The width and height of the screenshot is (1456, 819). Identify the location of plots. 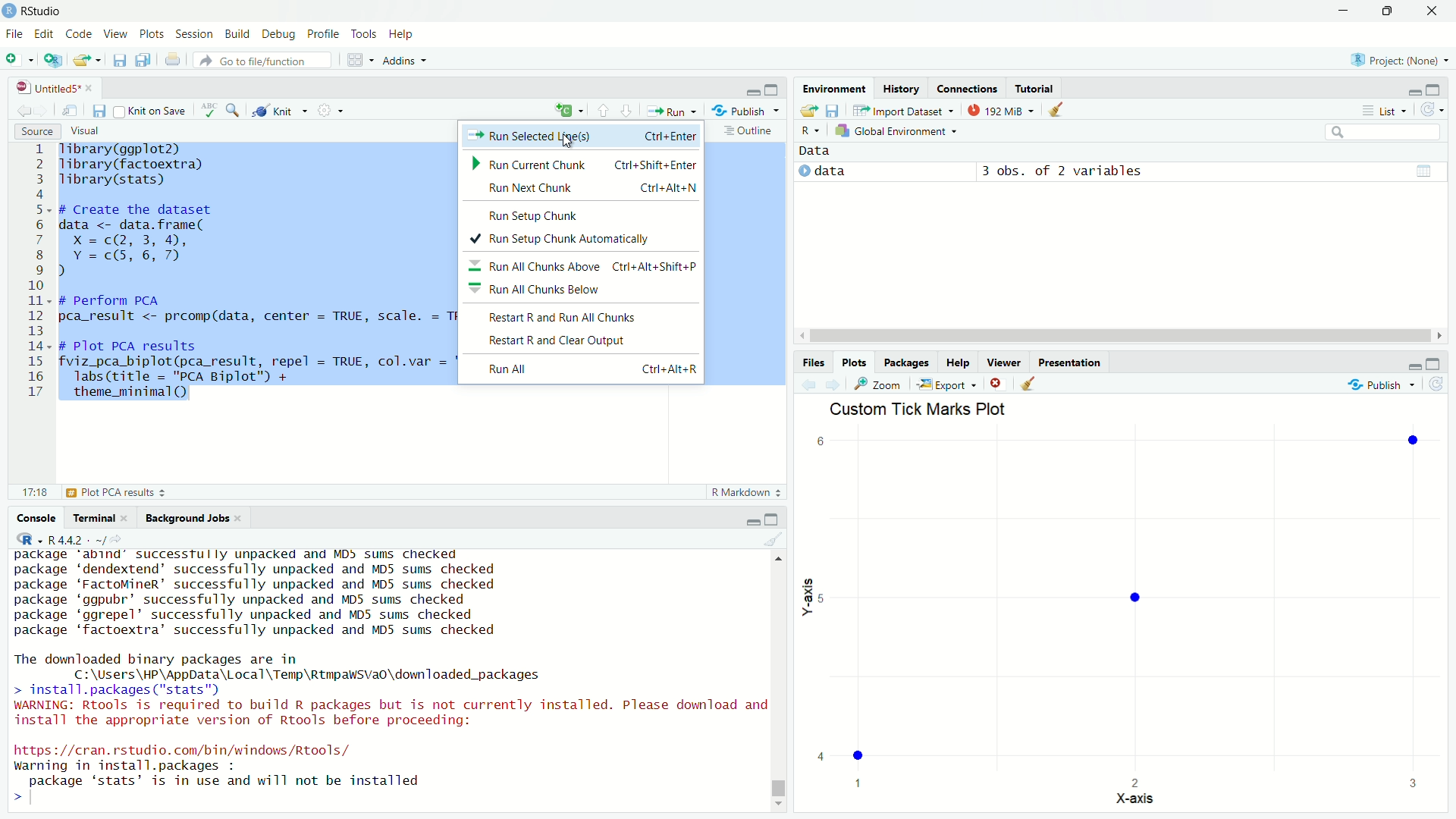
(152, 35).